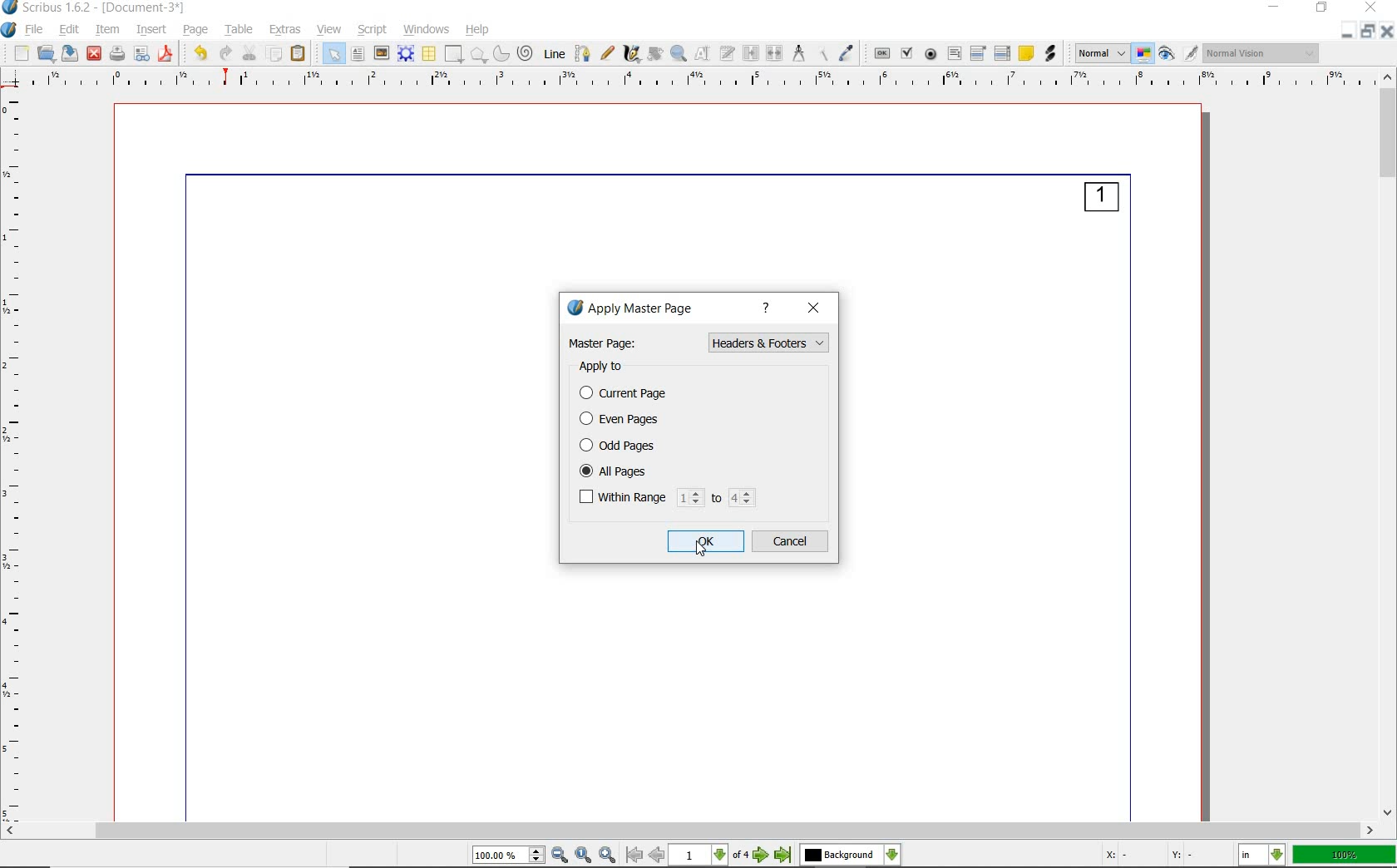 Image resolution: width=1397 pixels, height=868 pixels. Describe the element at coordinates (768, 341) in the screenshot. I see `Page Numbers` at that location.